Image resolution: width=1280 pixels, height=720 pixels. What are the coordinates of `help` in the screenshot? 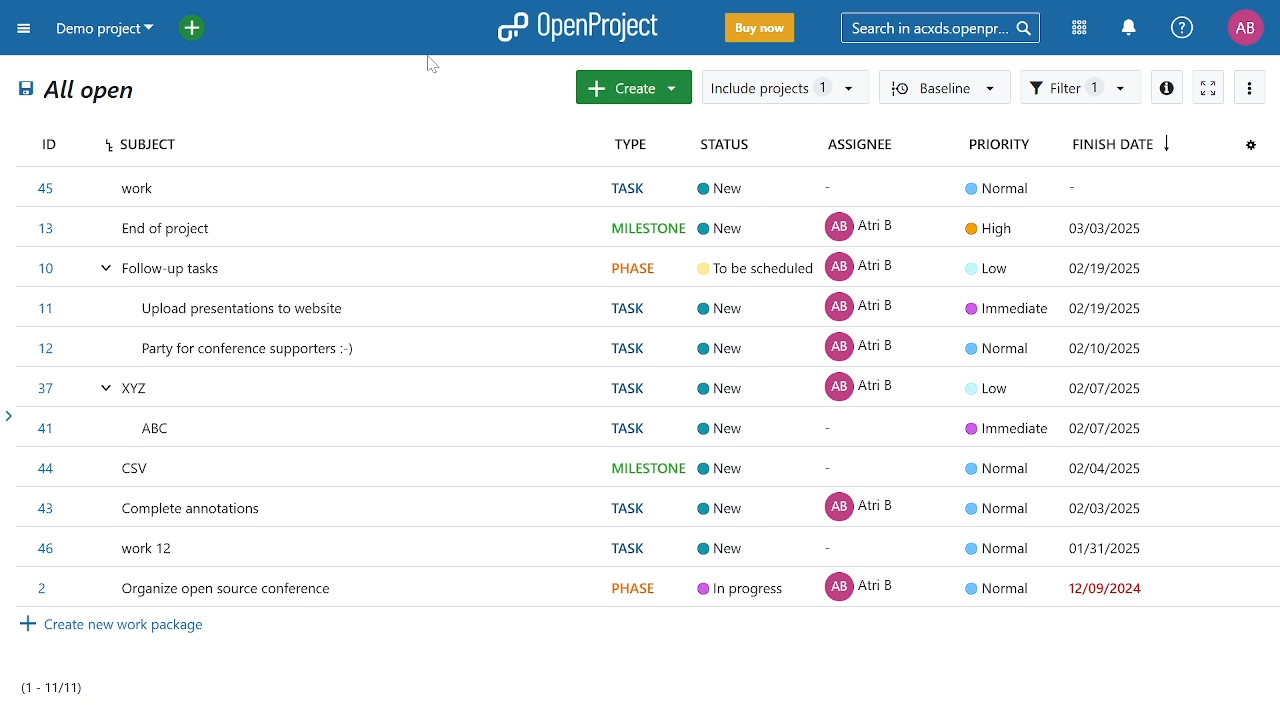 It's located at (1183, 28).